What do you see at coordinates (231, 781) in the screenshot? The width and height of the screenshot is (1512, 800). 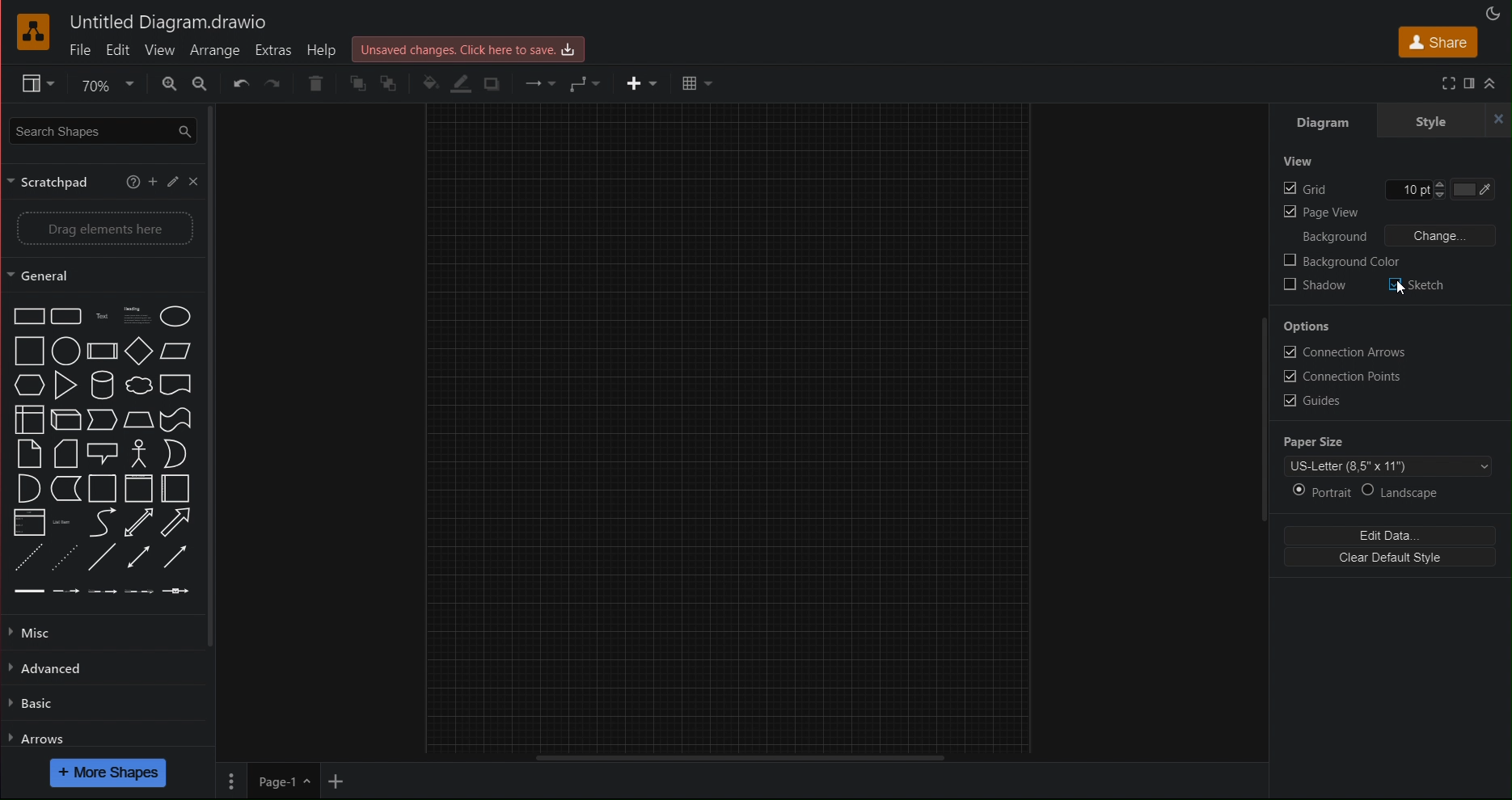 I see `Pages` at bounding box center [231, 781].